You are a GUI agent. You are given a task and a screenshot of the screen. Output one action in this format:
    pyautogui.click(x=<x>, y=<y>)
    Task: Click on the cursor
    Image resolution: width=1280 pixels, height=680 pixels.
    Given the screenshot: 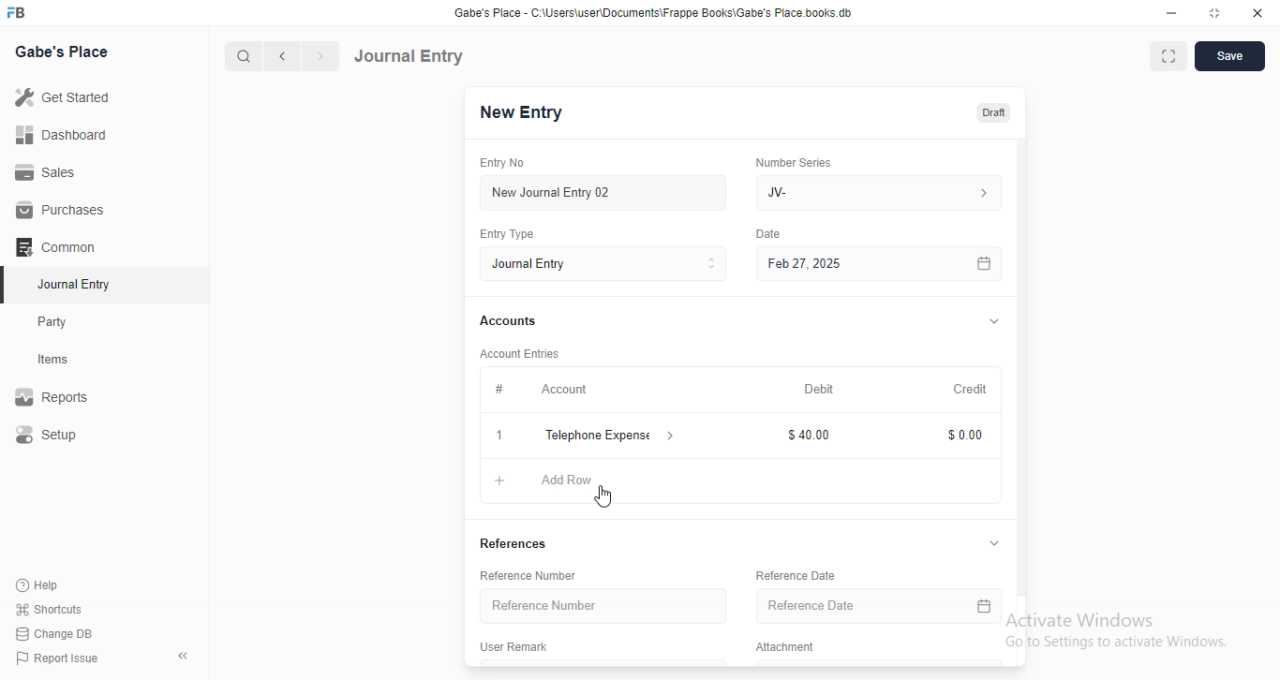 What is the action you would take?
    pyautogui.click(x=606, y=496)
    